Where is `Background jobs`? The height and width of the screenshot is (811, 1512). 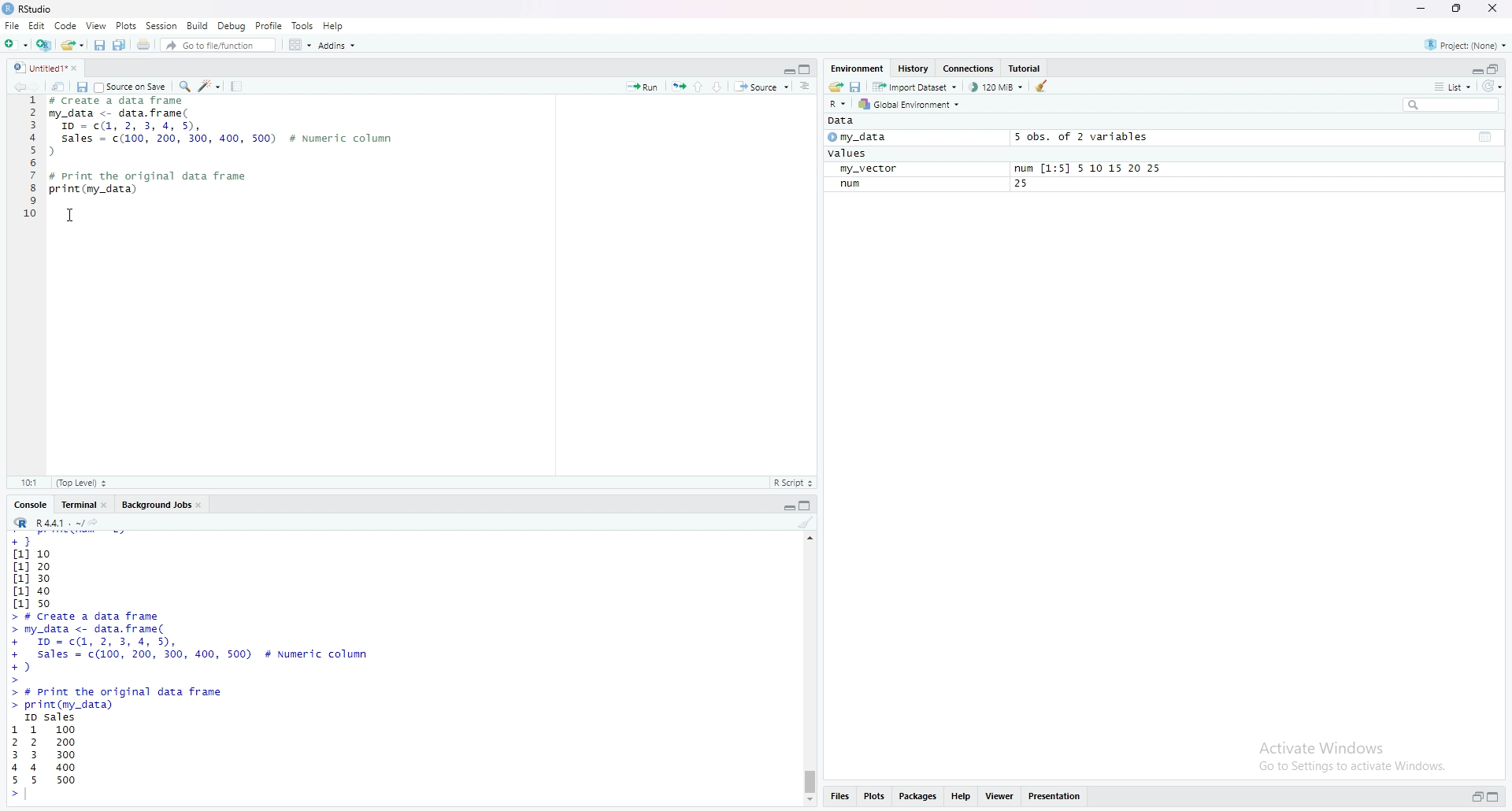
Background jobs is located at coordinates (157, 506).